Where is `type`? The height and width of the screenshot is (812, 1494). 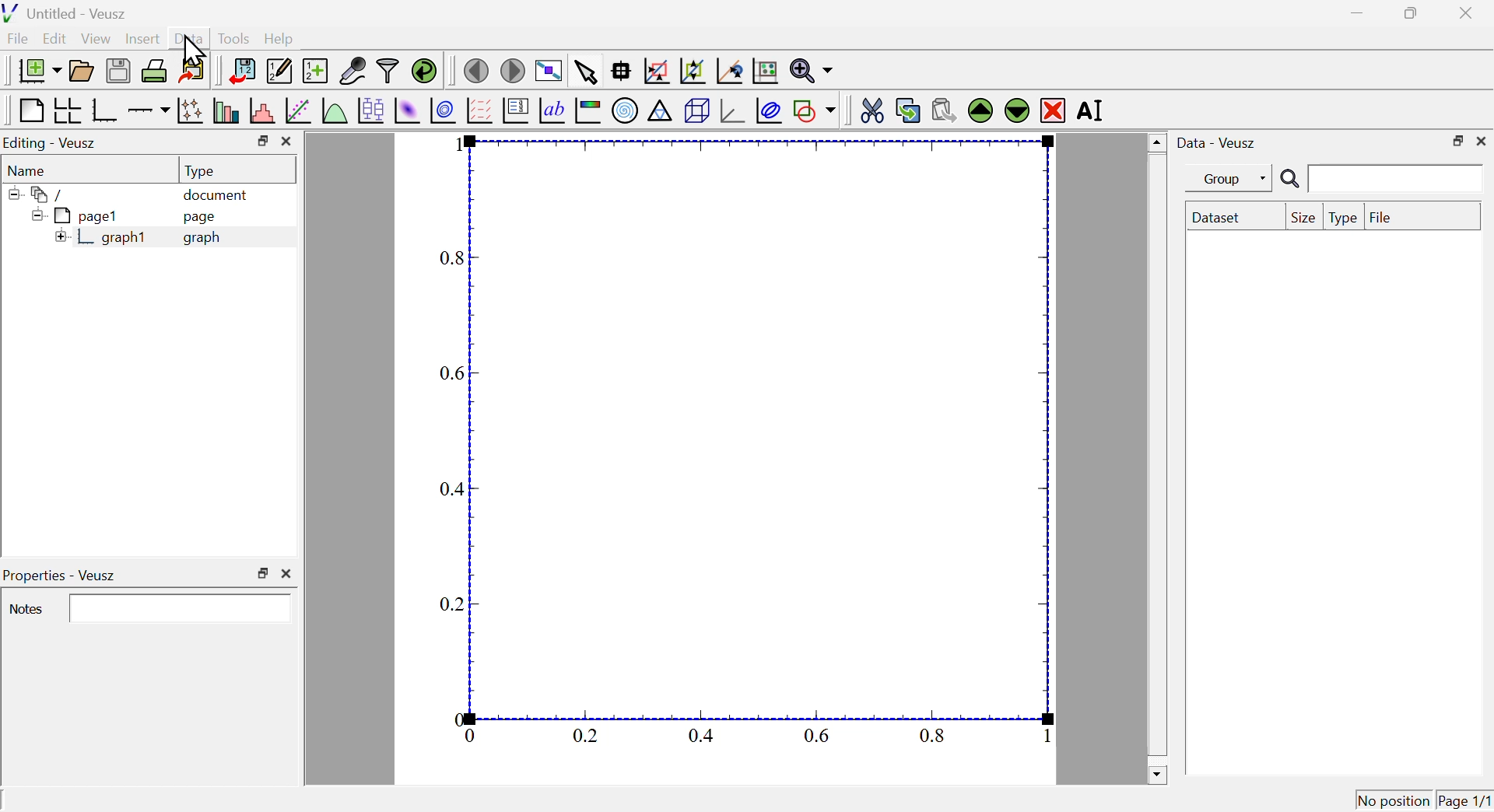
type is located at coordinates (202, 170).